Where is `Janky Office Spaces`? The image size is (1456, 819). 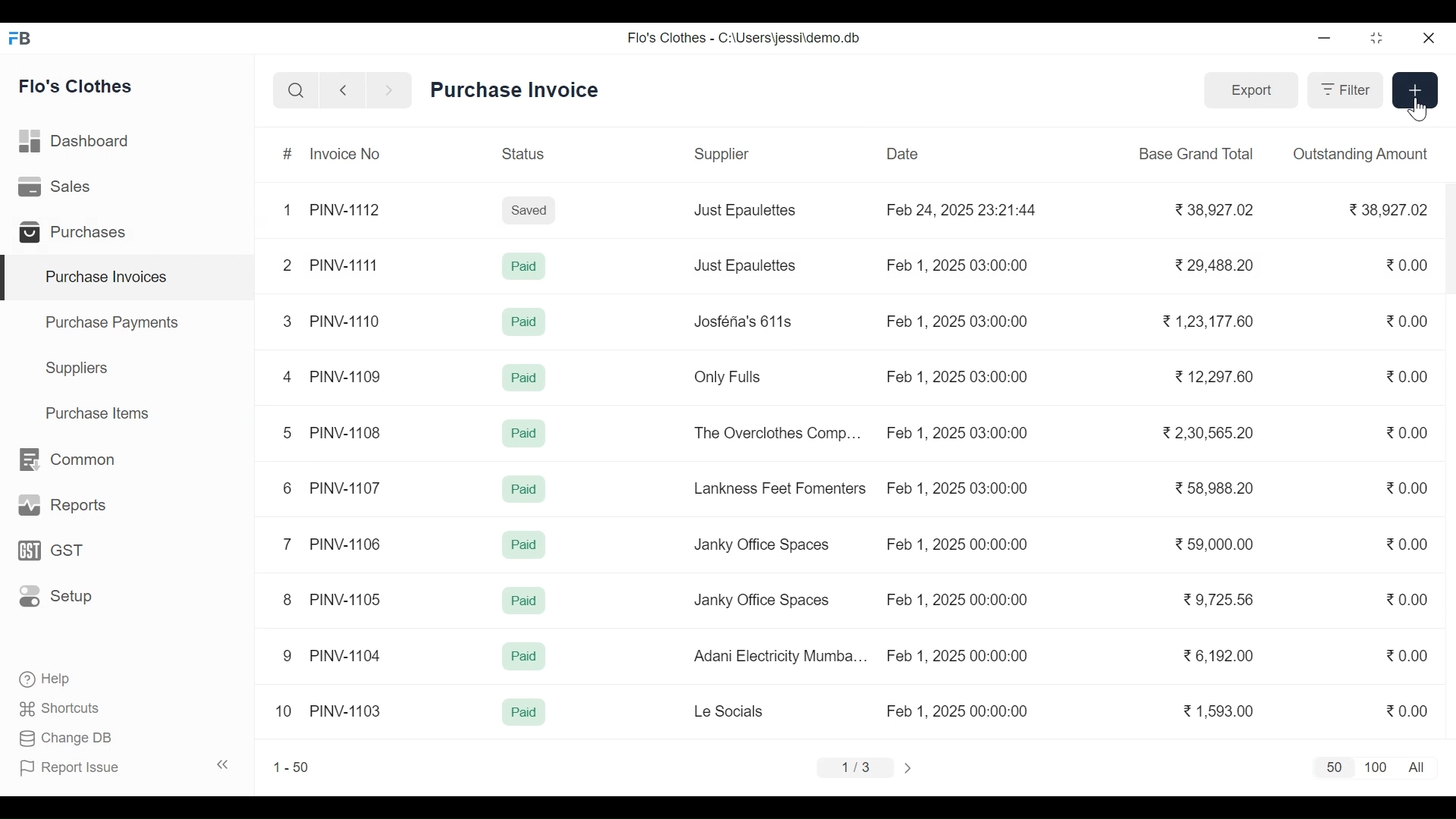 Janky Office Spaces is located at coordinates (764, 547).